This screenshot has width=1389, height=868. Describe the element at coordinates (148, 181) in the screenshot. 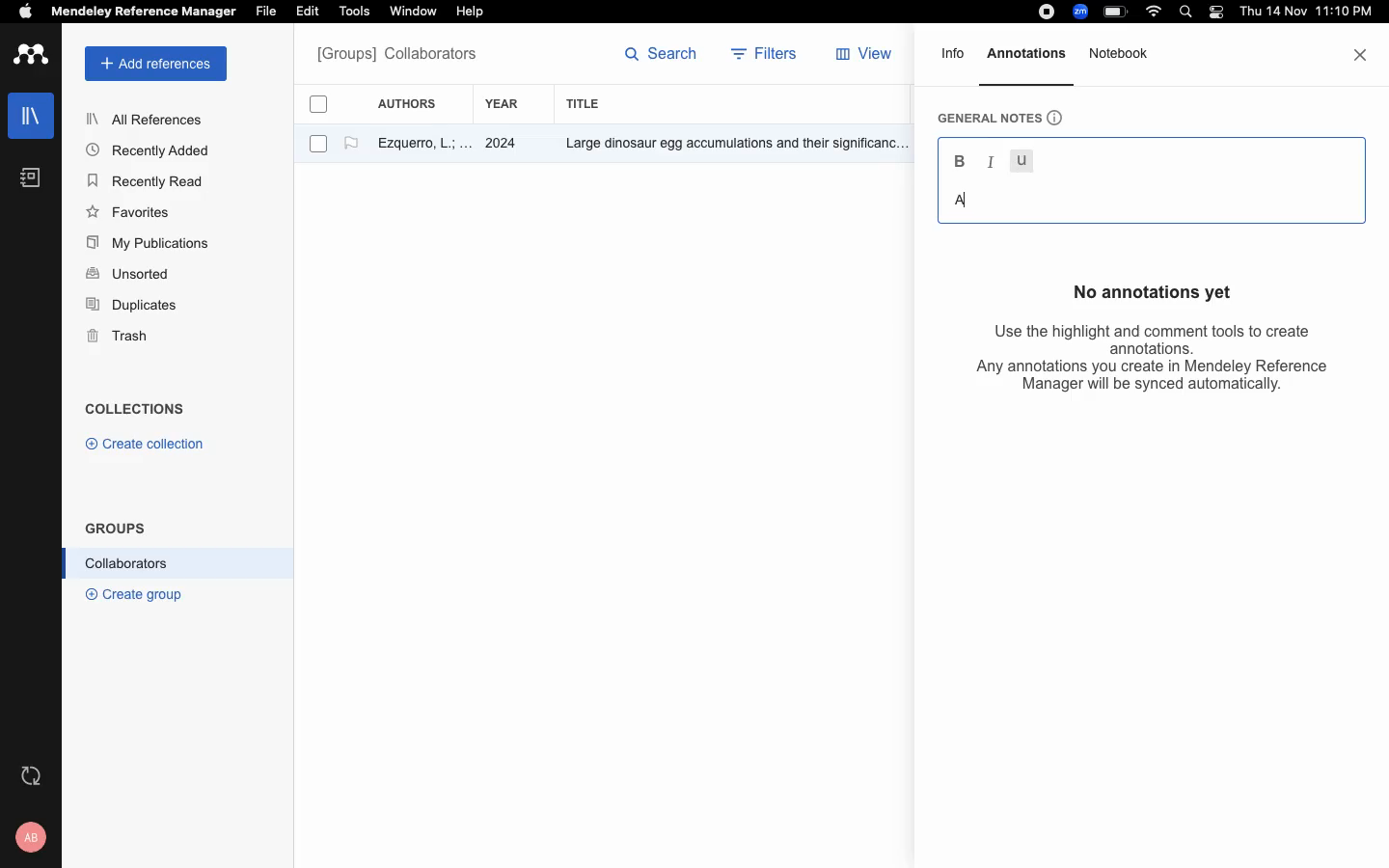

I see `Recently Read` at that location.